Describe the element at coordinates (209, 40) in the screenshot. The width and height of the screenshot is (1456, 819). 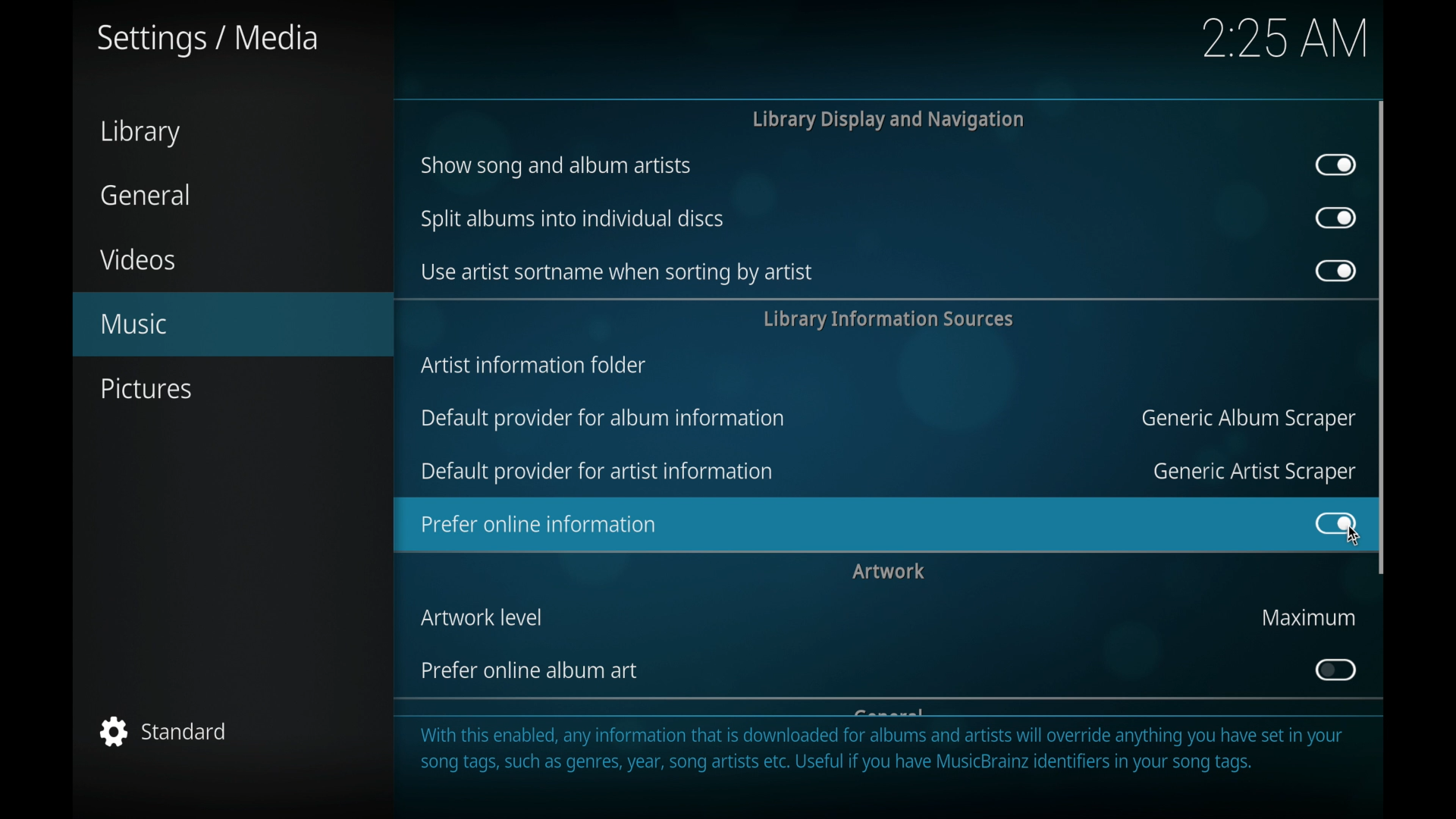
I see `settings/media` at that location.